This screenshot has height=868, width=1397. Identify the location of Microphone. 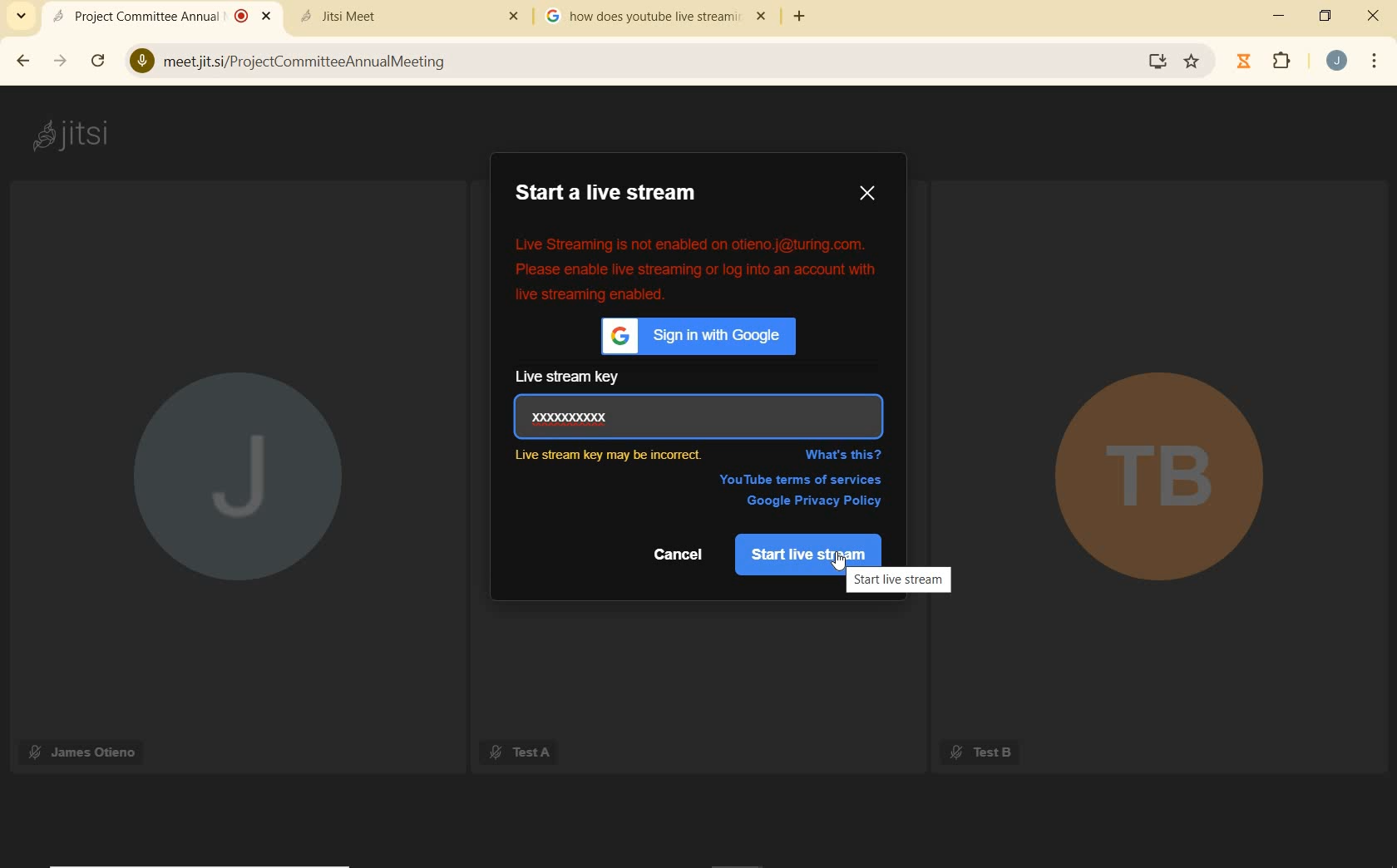
(141, 62).